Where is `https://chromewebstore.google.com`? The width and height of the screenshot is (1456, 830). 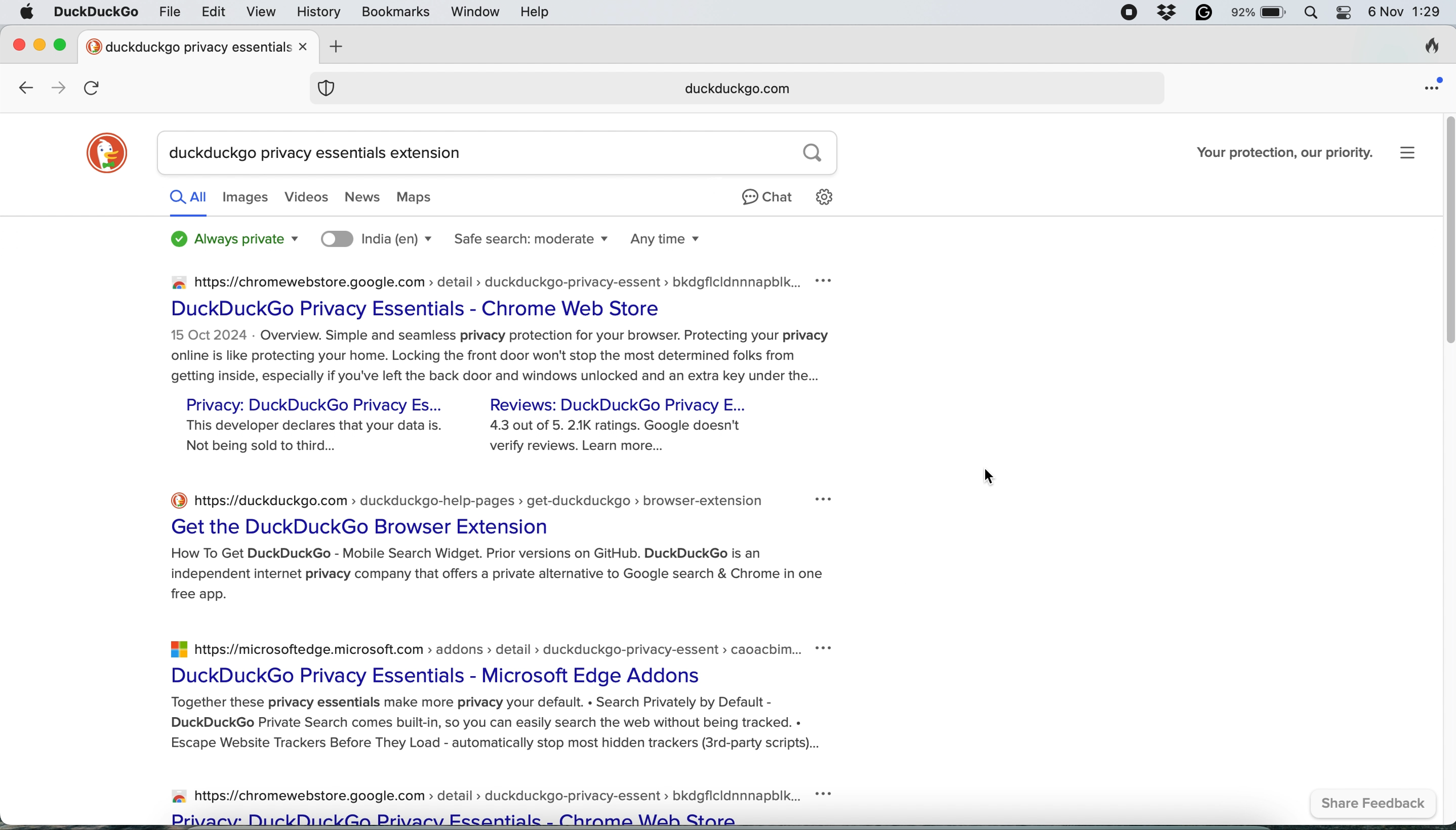 https://chromewebstore.google.com is located at coordinates (497, 796).